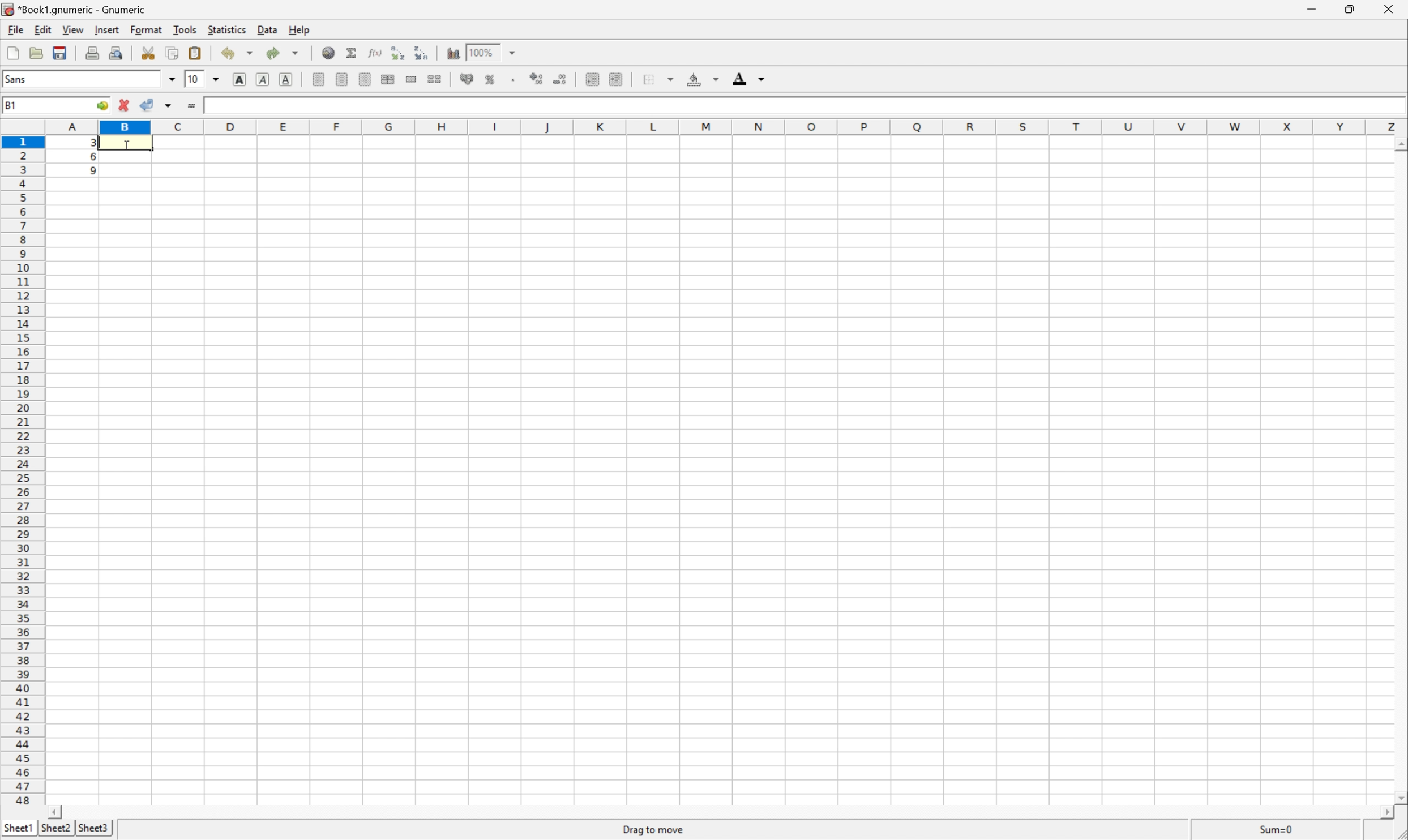 The width and height of the screenshot is (1408, 840). I want to click on Insert, so click(106, 29).